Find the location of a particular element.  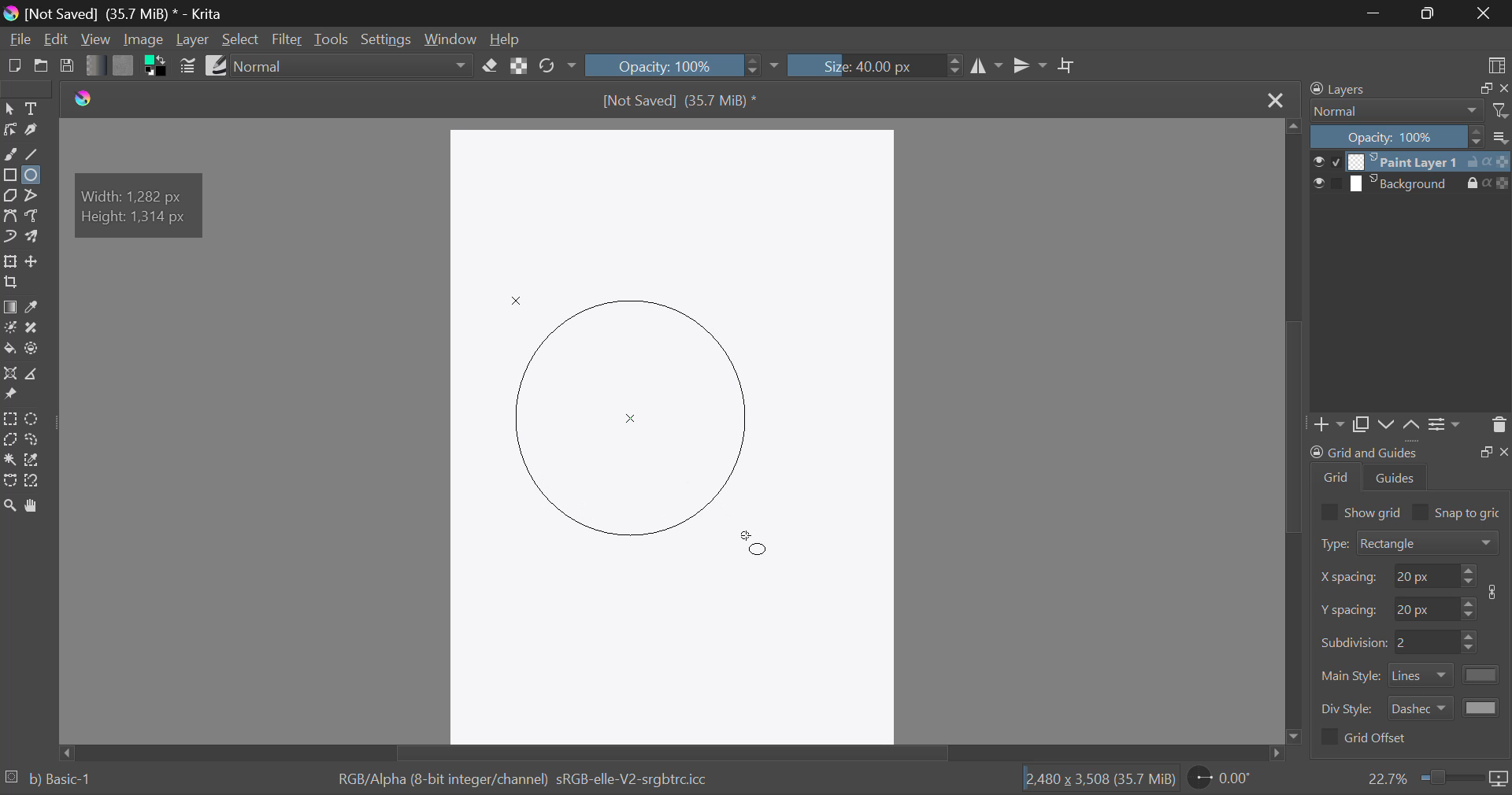

Fill is located at coordinates (9, 349).